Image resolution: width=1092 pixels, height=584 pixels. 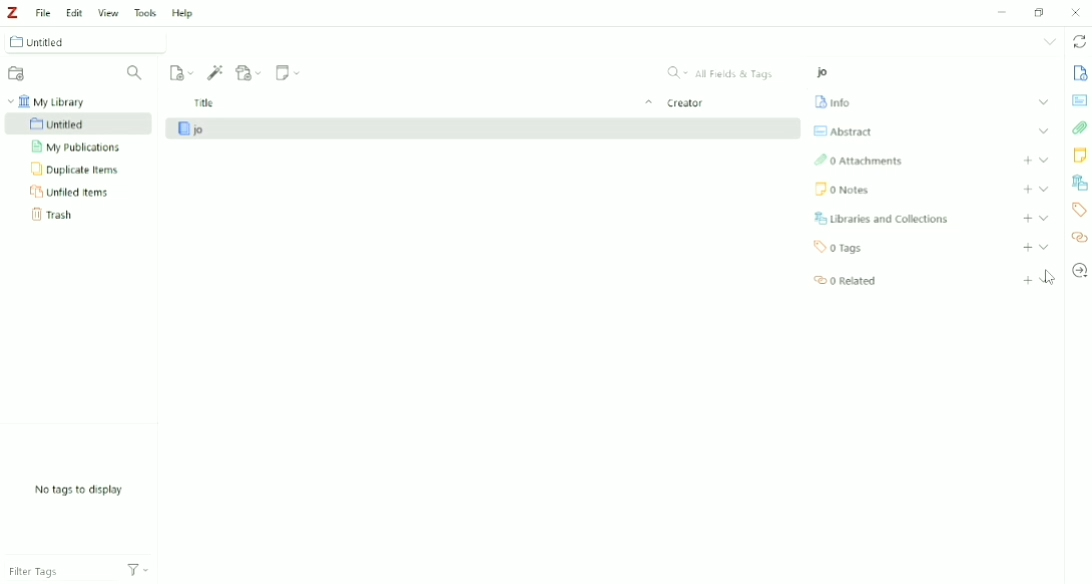 What do you see at coordinates (1080, 271) in the screenshot?
I see `Locate` at bounding box center [1080, 271].